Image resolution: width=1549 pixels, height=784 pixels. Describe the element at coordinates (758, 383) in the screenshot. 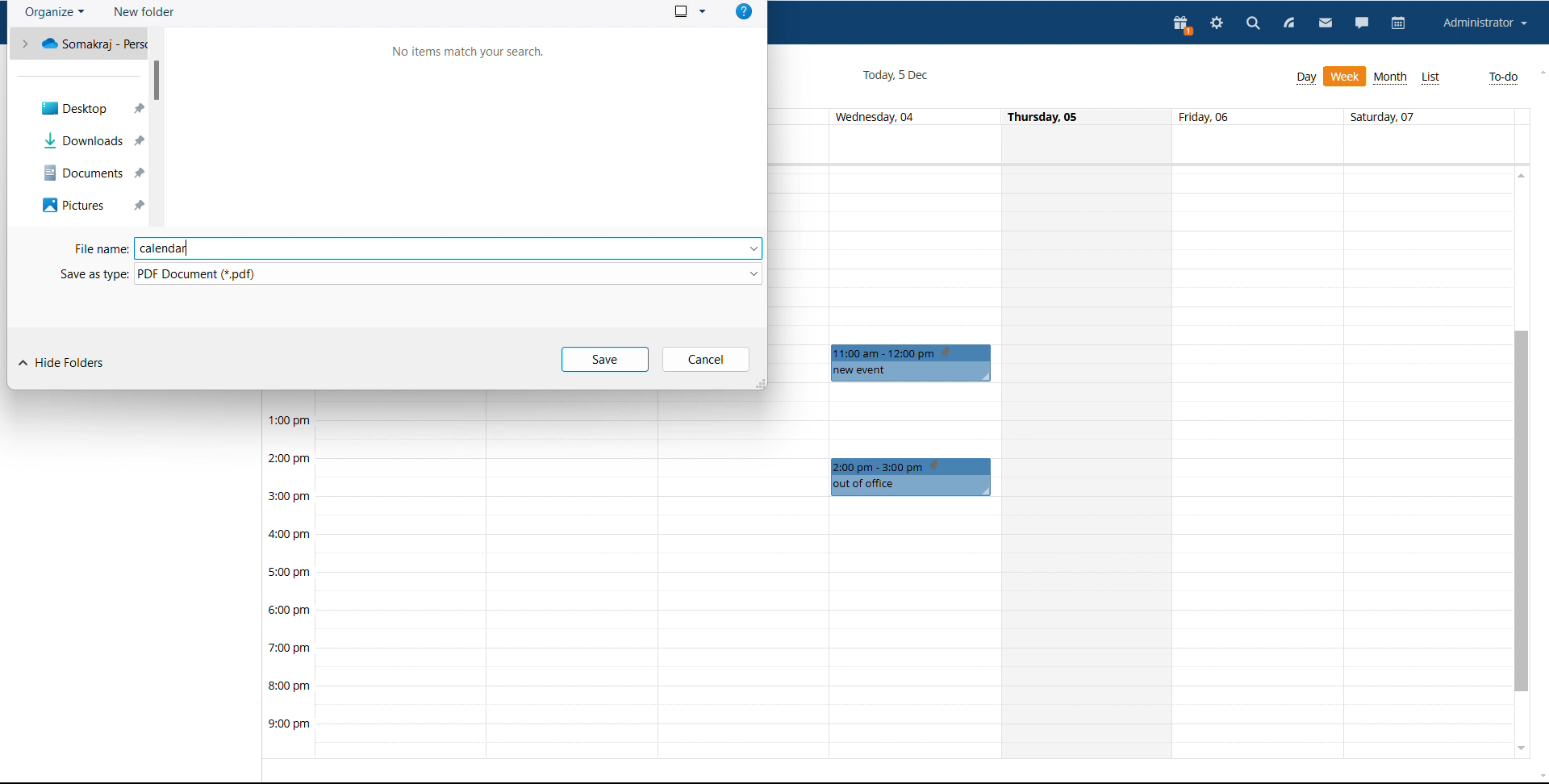

I see `resize` at that location.